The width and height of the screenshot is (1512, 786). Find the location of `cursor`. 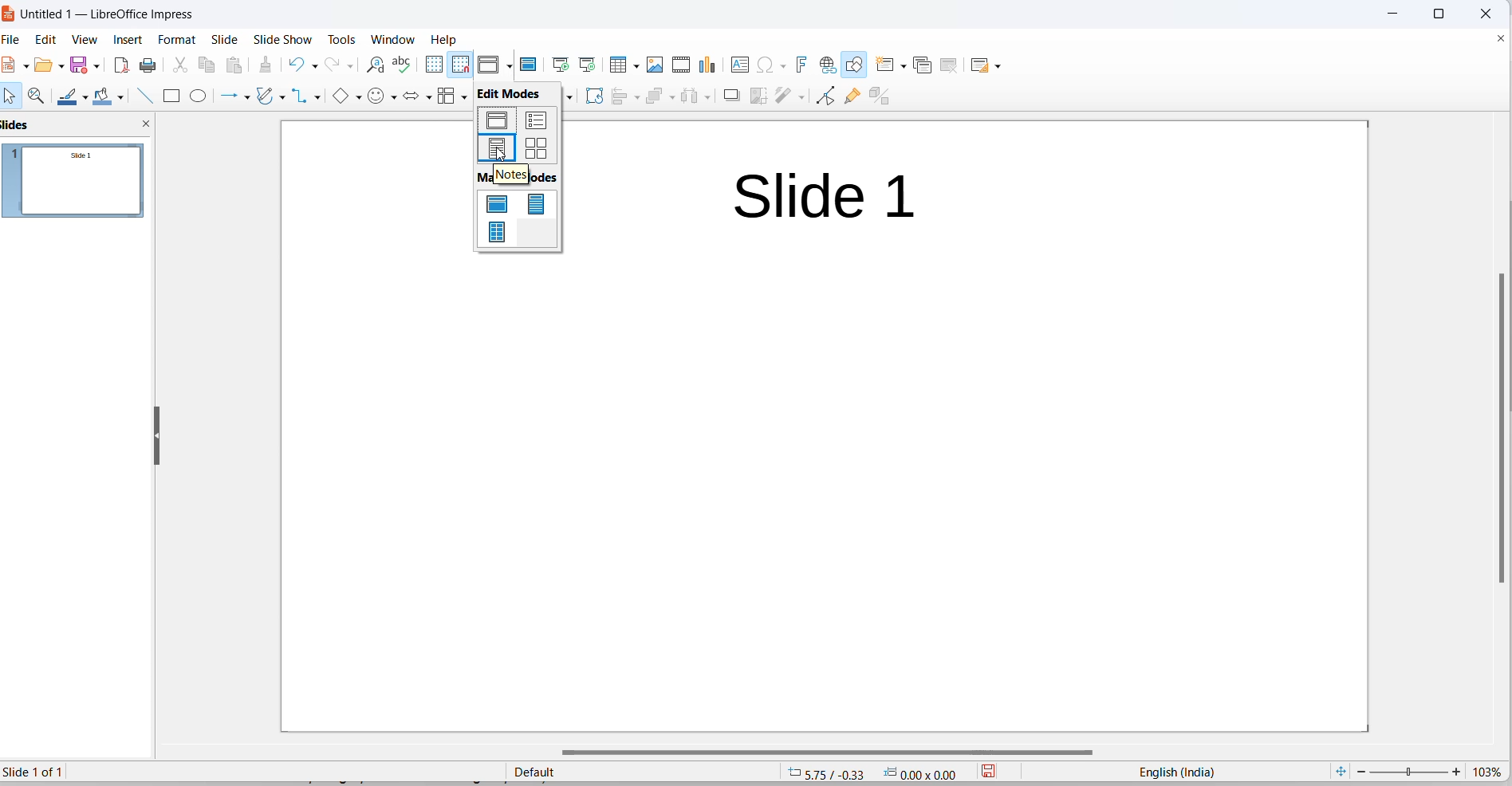

cursor is located at coordinates (503, 153).